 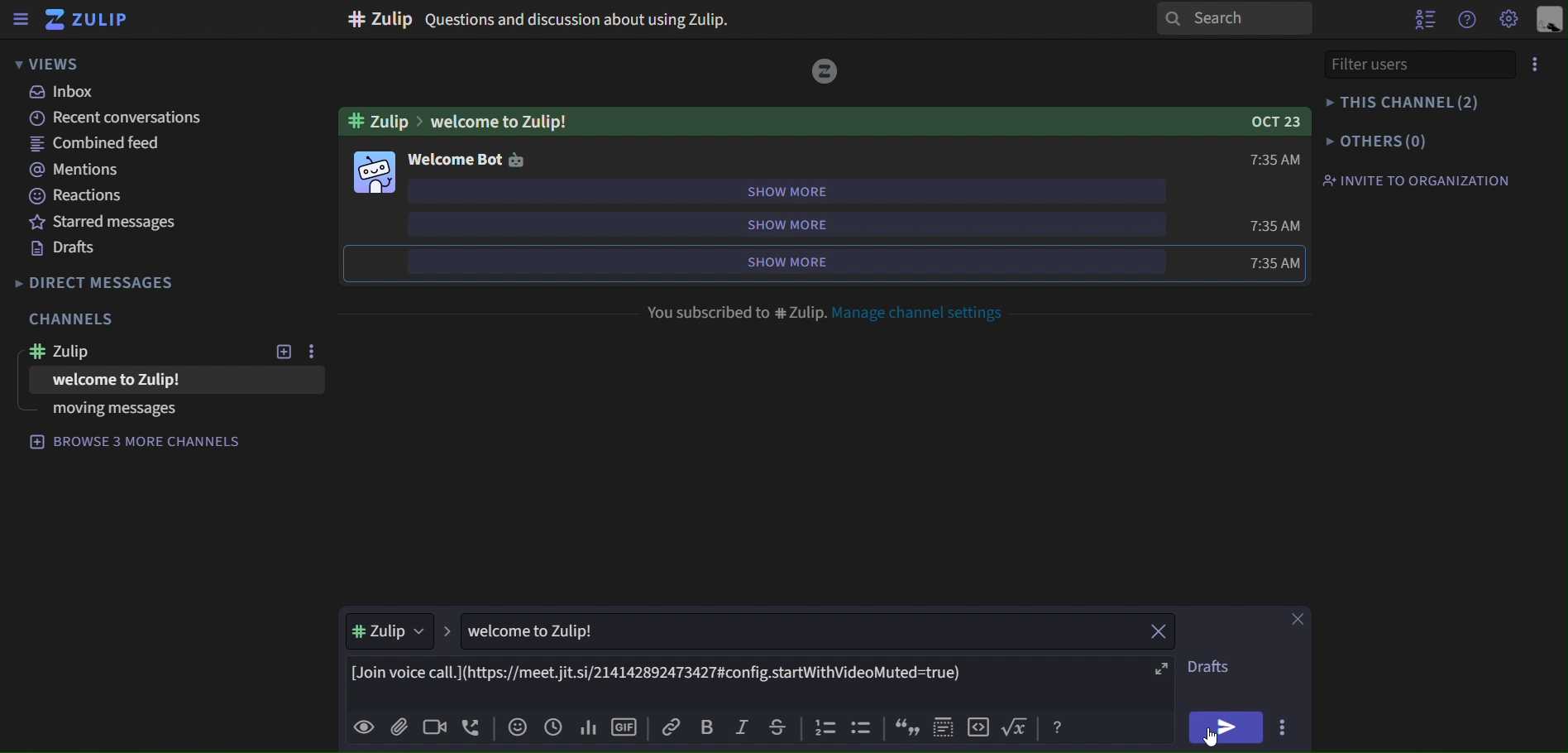 What do you see at coordinates (48, 63) in the screenshot?
I see `views` at bounding box center [48, 63].